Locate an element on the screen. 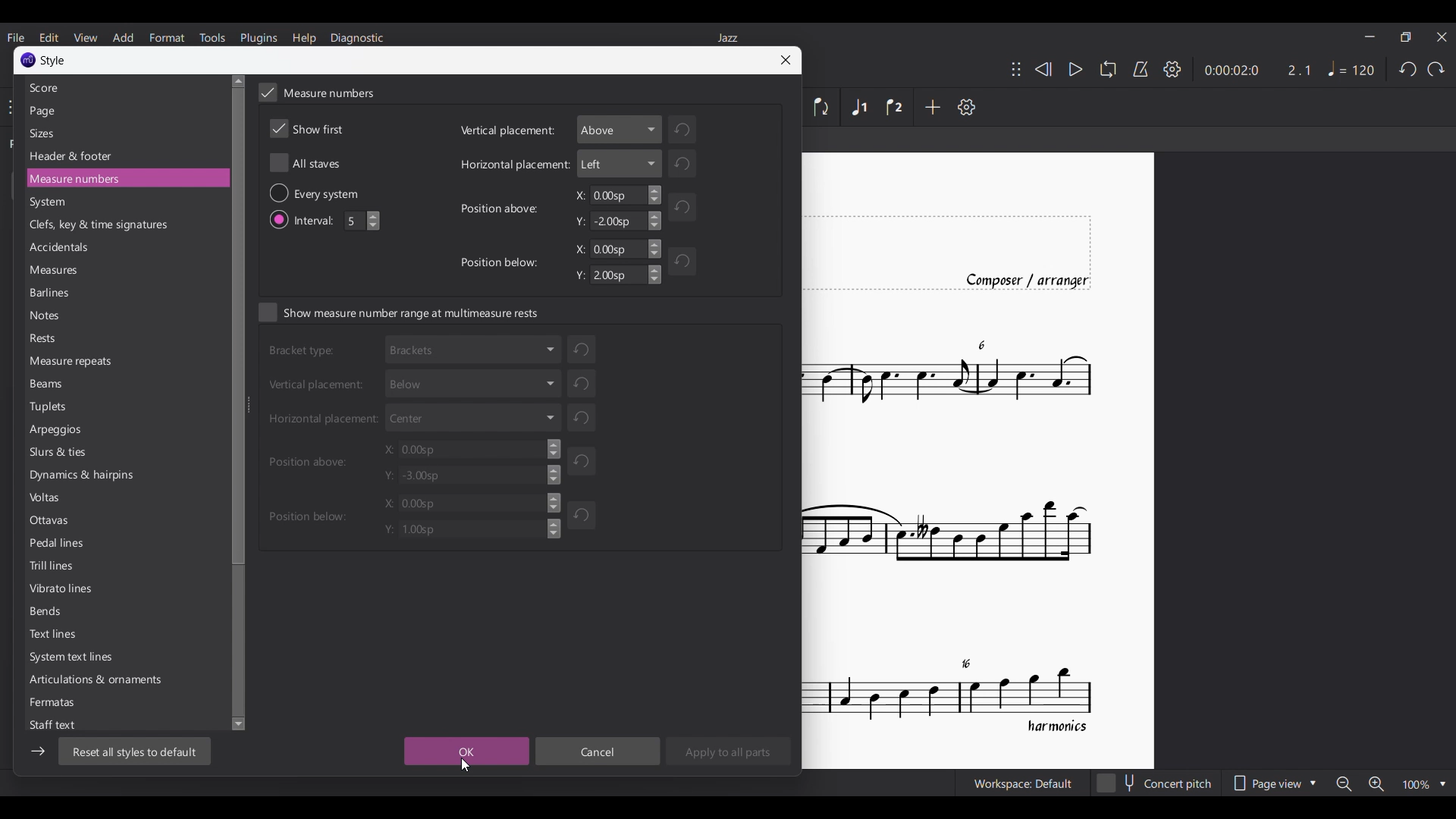  Toggle show first is located at coordinates (307, 129).